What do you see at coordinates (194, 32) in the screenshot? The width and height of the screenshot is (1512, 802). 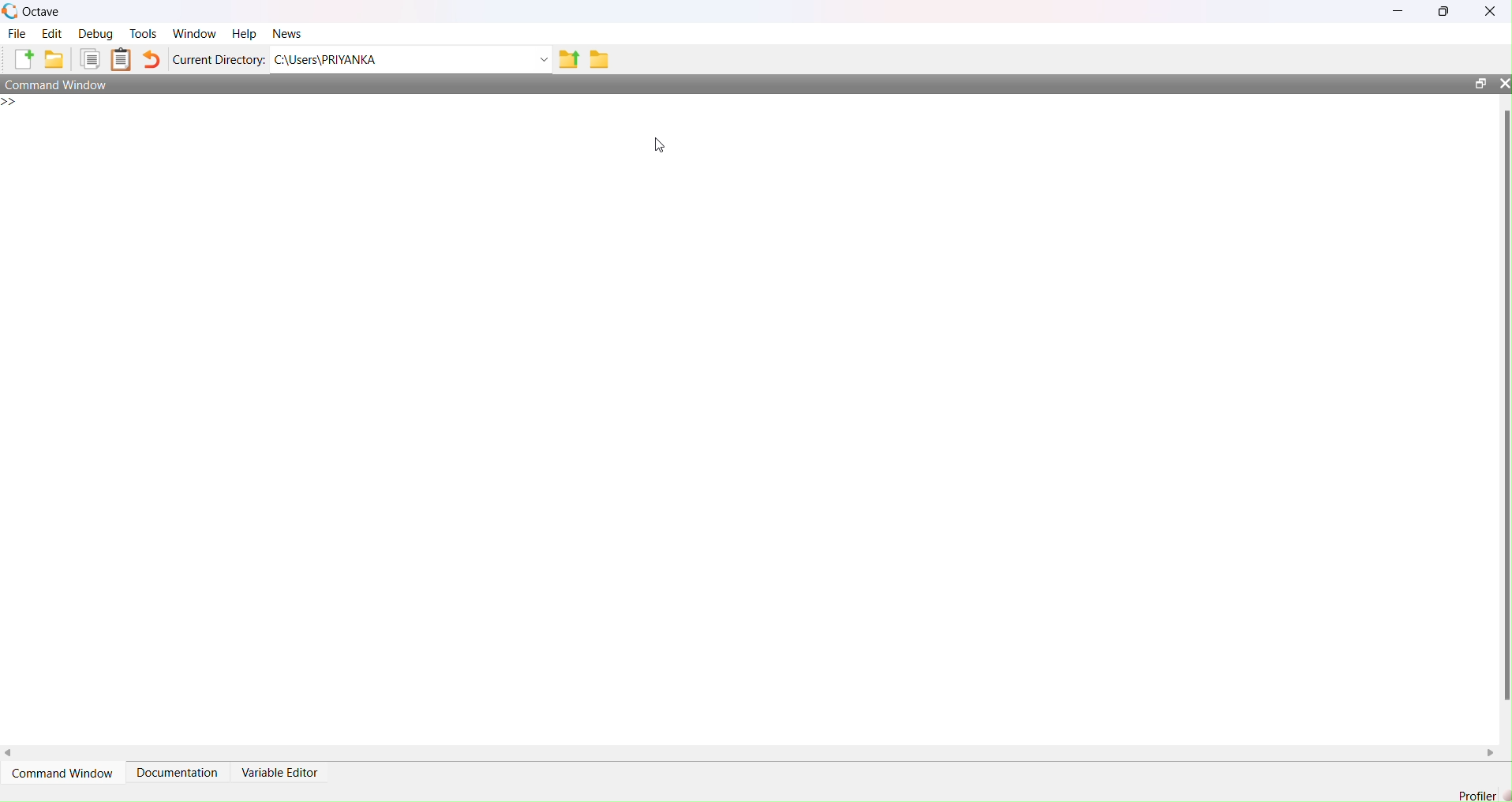 I see `‘Window` at bounding box center [194, 32].